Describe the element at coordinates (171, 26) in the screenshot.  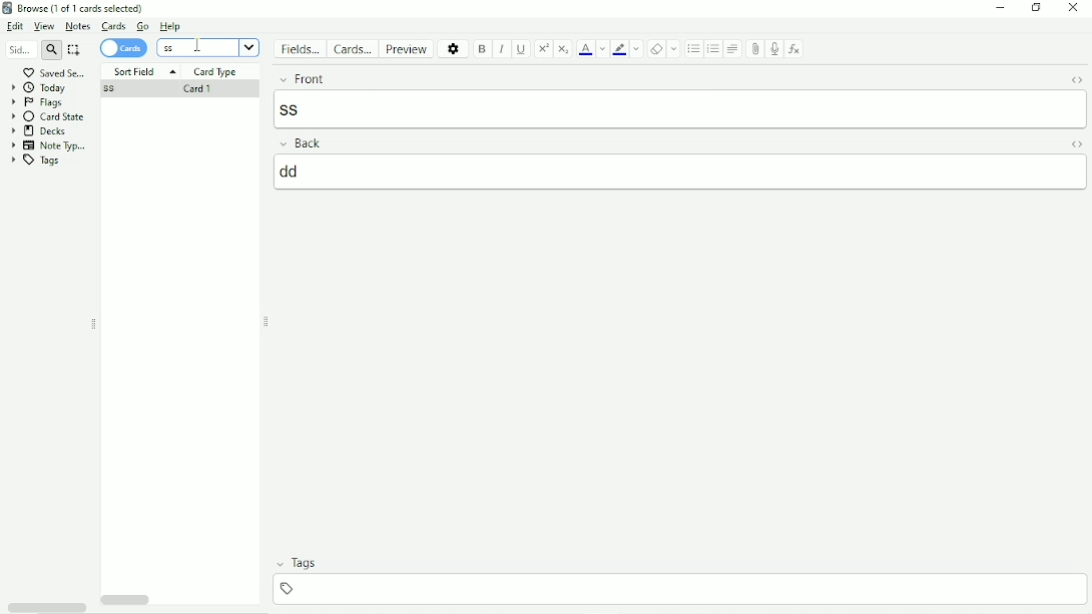
I see `Help` at that location.